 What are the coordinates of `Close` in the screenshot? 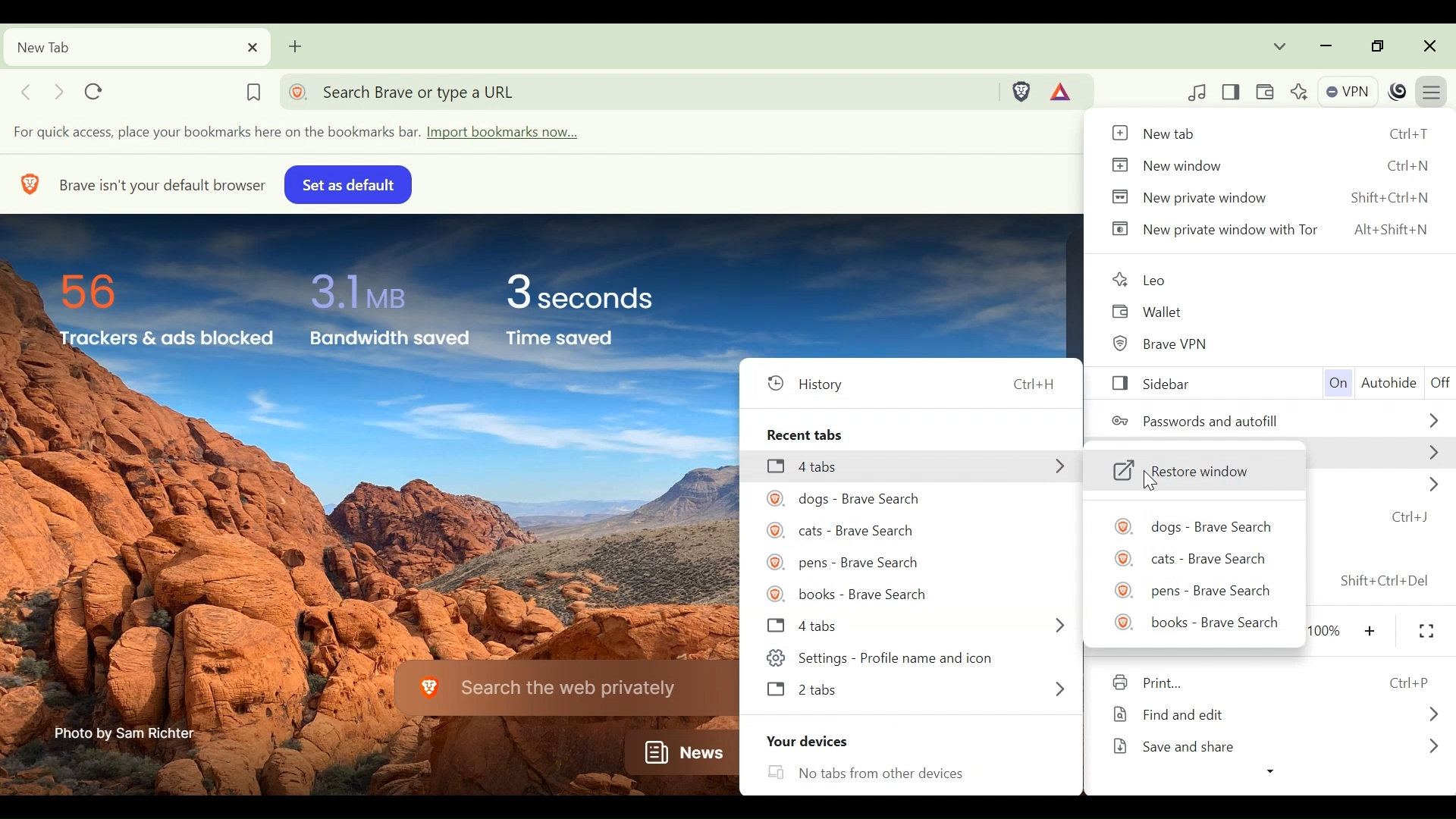 It's located at (1430, 45).